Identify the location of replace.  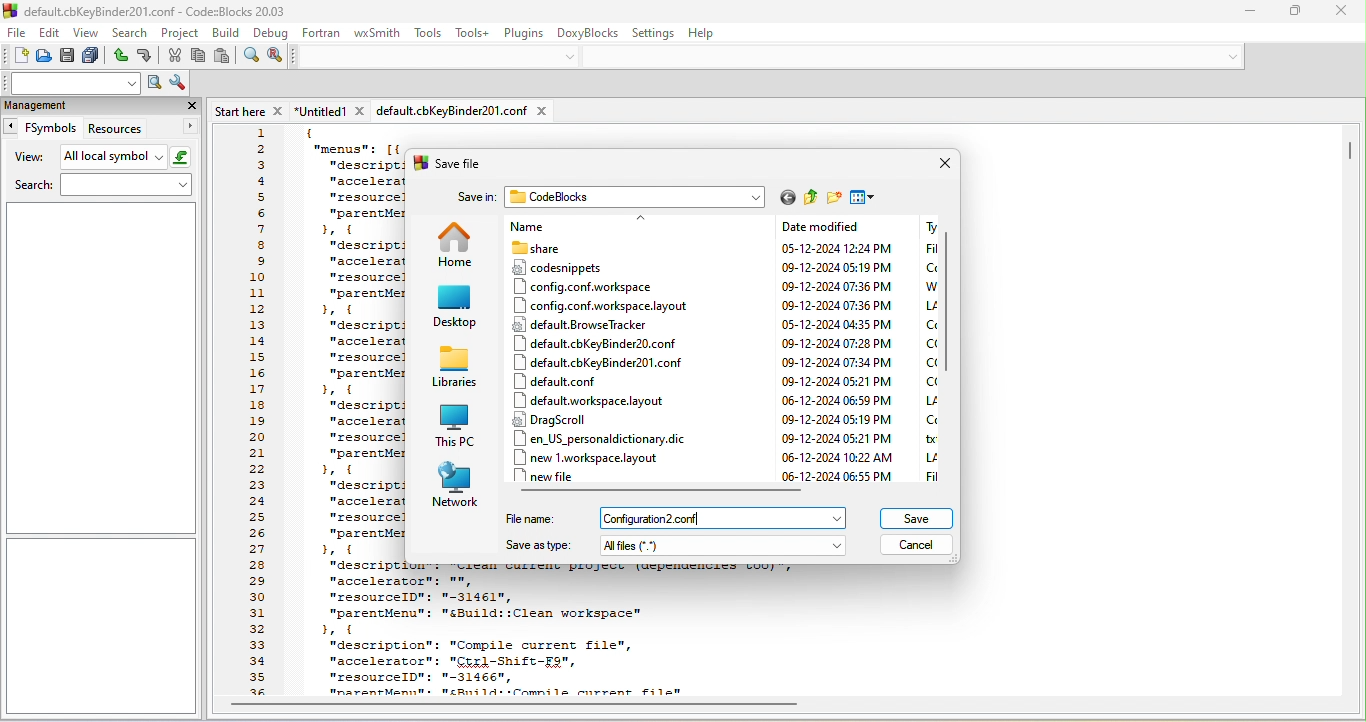
(277, 57).